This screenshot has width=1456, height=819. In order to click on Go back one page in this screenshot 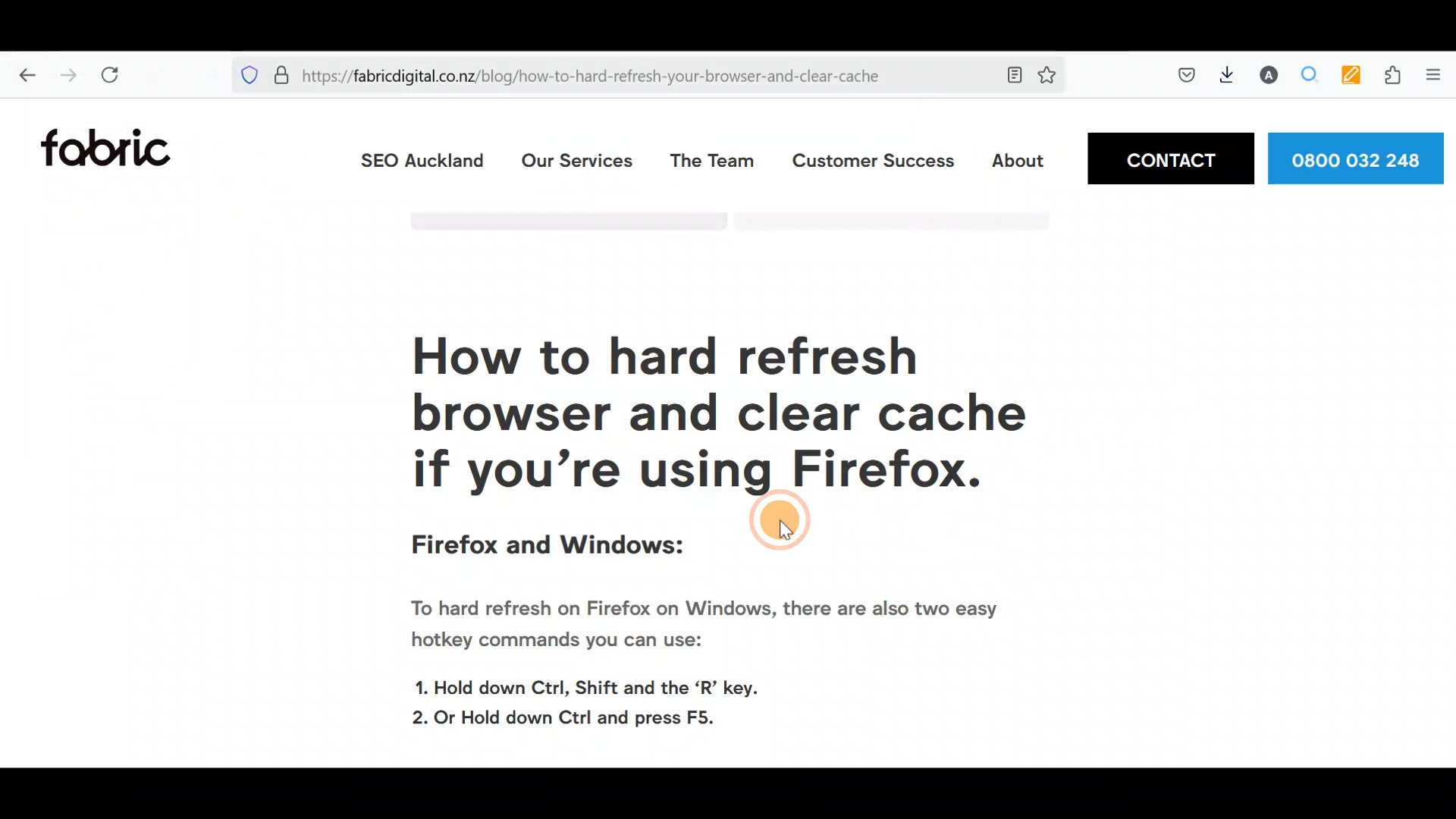, I will do `click(20, 76)`.